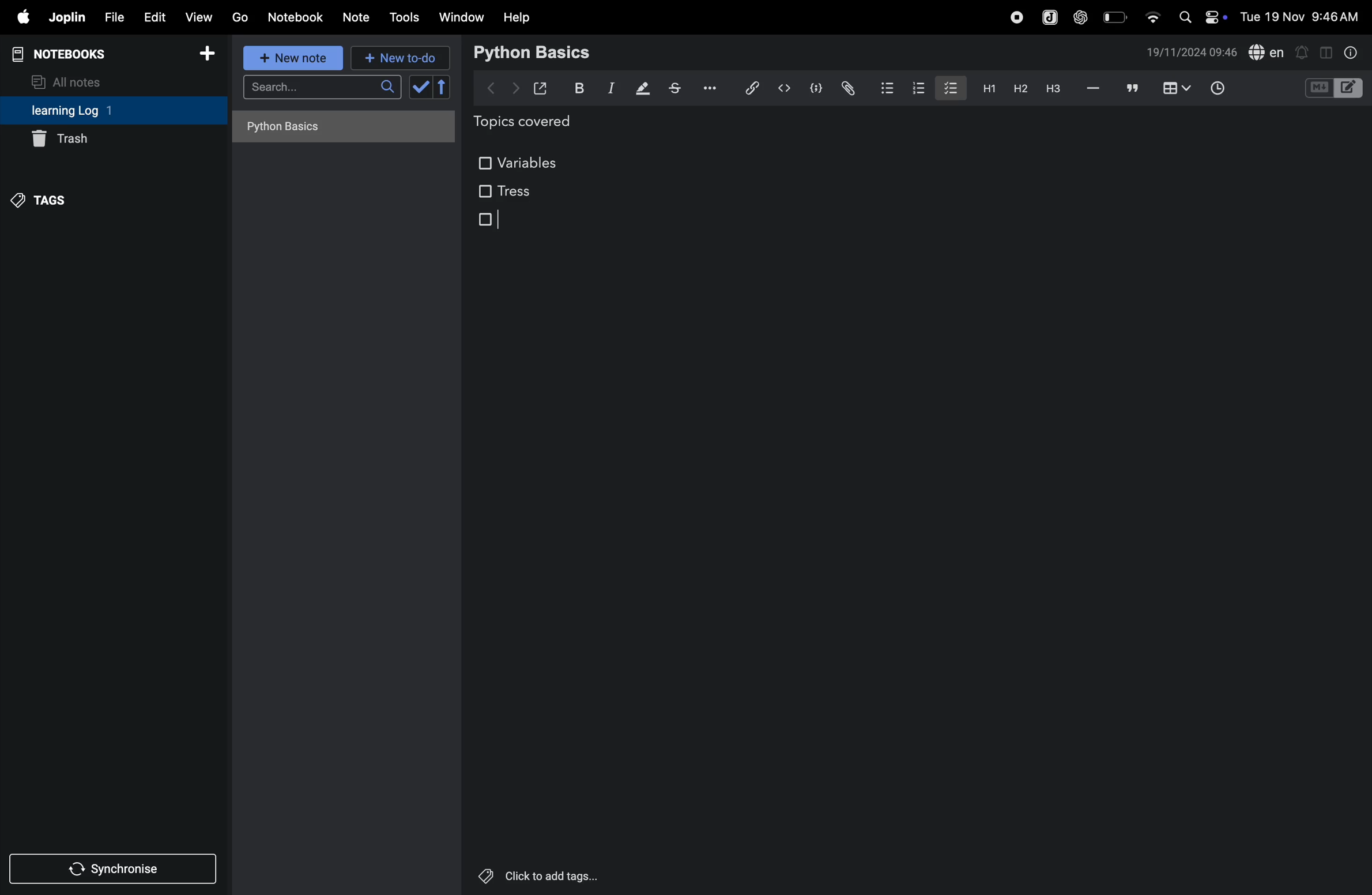  What do you see at coordinates (357, 18) in the screenshot?
I see `notes` at bounding box center [357, 18].